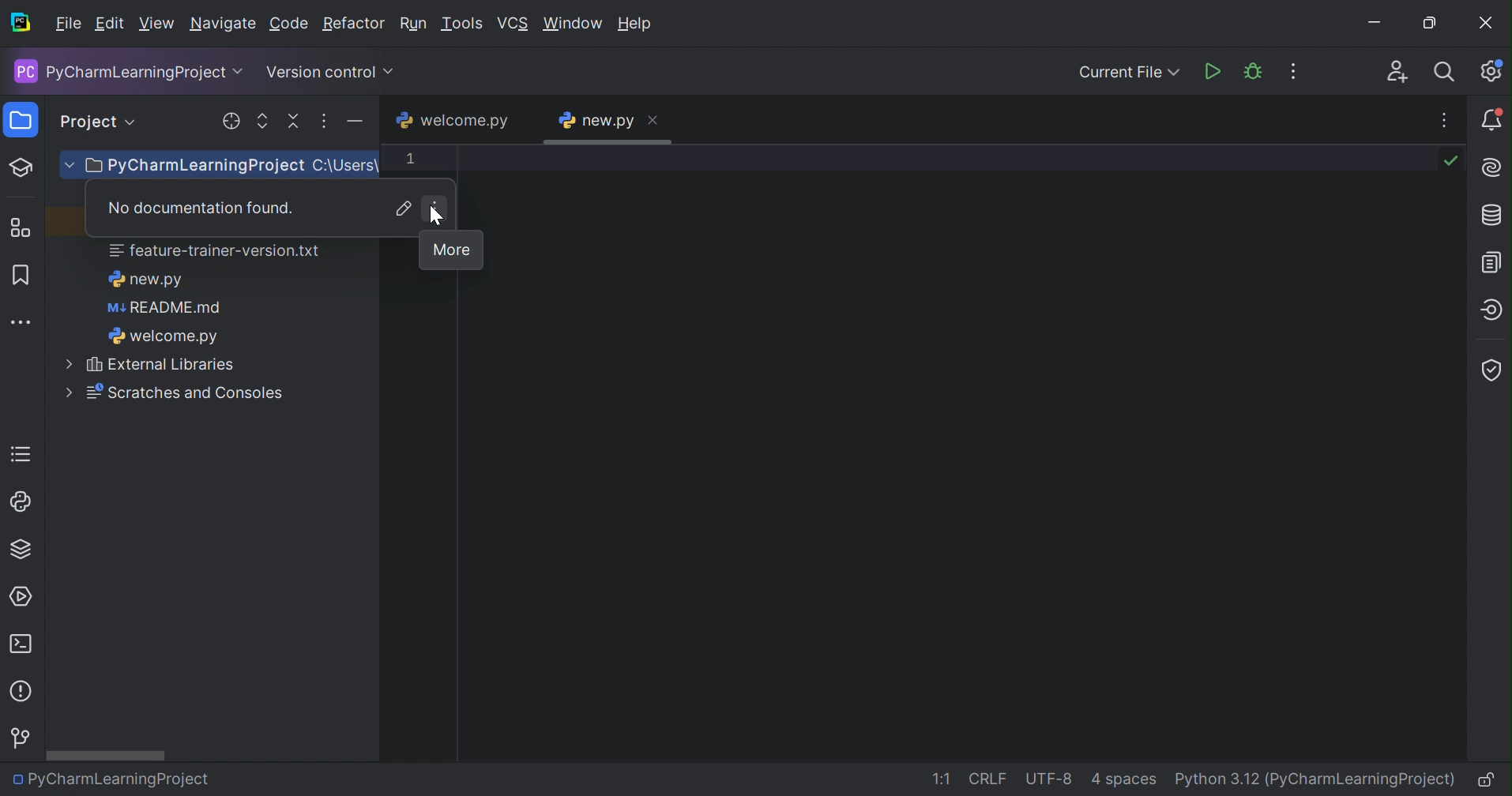 This screenshot has height=796, width=1512. I want to click on PyCharmLearningProject, so click(109, 779).